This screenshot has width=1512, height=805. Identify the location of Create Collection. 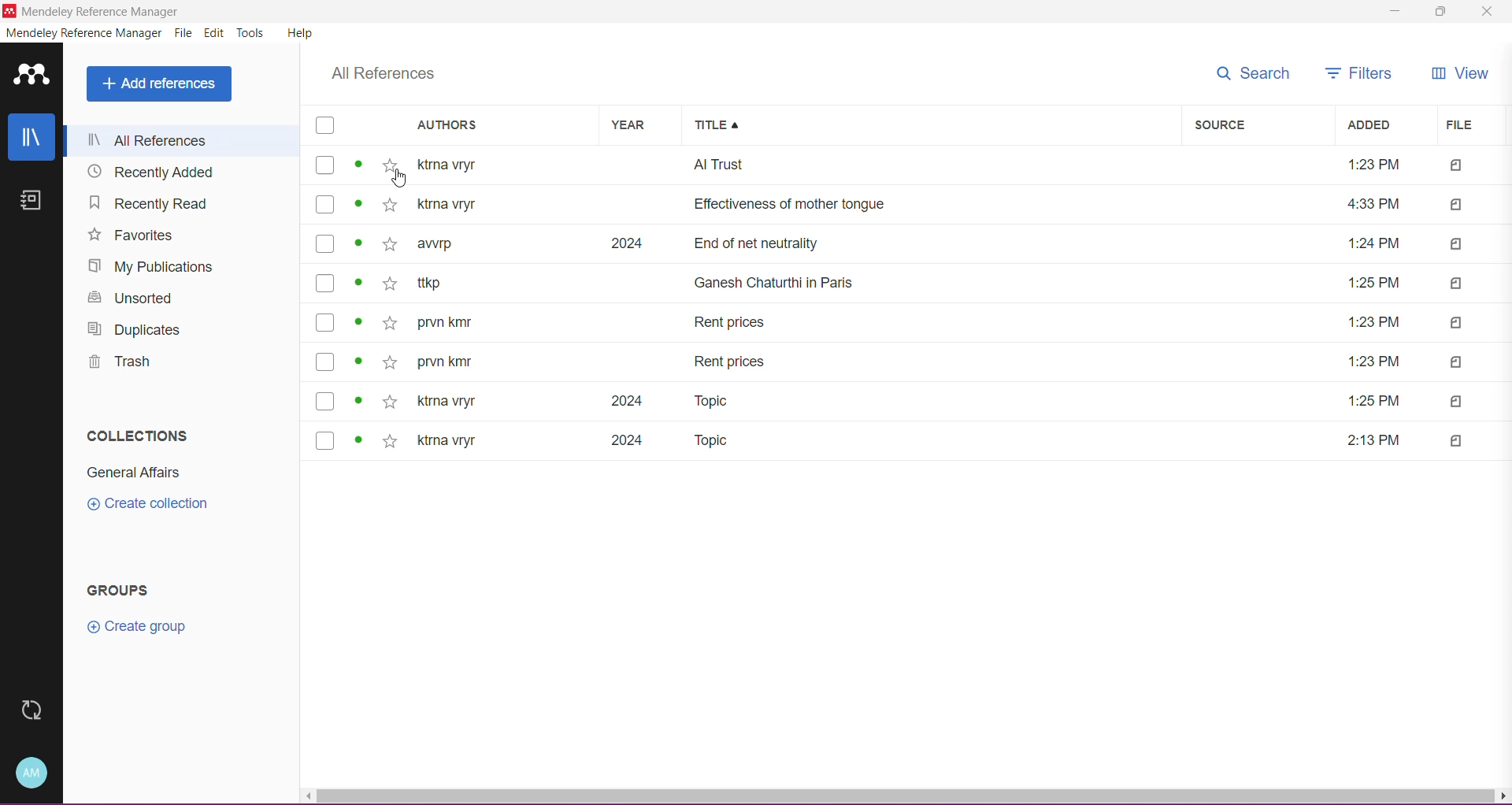
(143, 506).